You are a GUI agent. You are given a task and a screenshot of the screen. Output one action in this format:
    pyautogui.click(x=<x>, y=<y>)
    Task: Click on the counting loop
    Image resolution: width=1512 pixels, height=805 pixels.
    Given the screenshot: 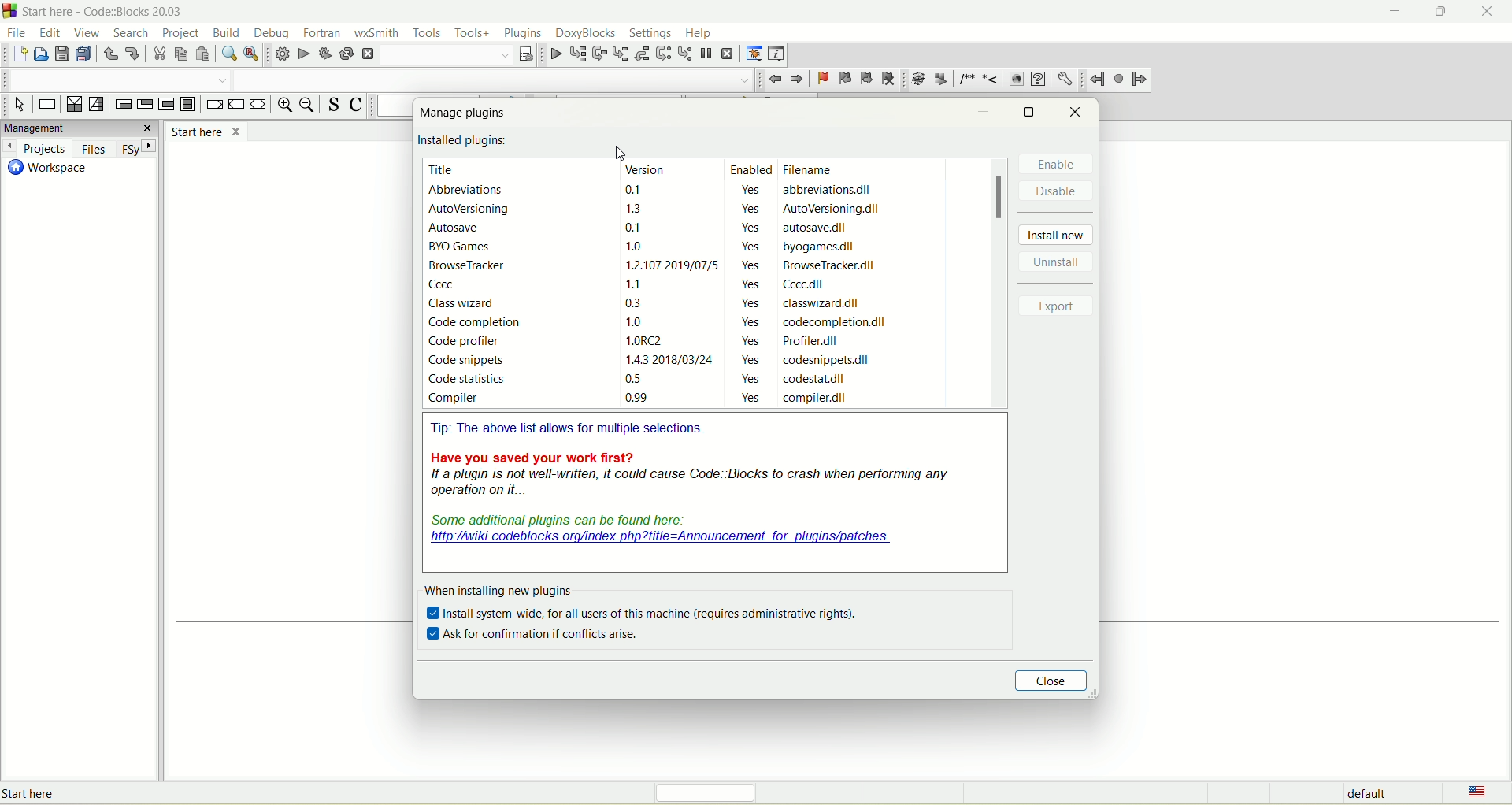 What is the action you would take?
    pyautogui.click(x=166, y=105)
    